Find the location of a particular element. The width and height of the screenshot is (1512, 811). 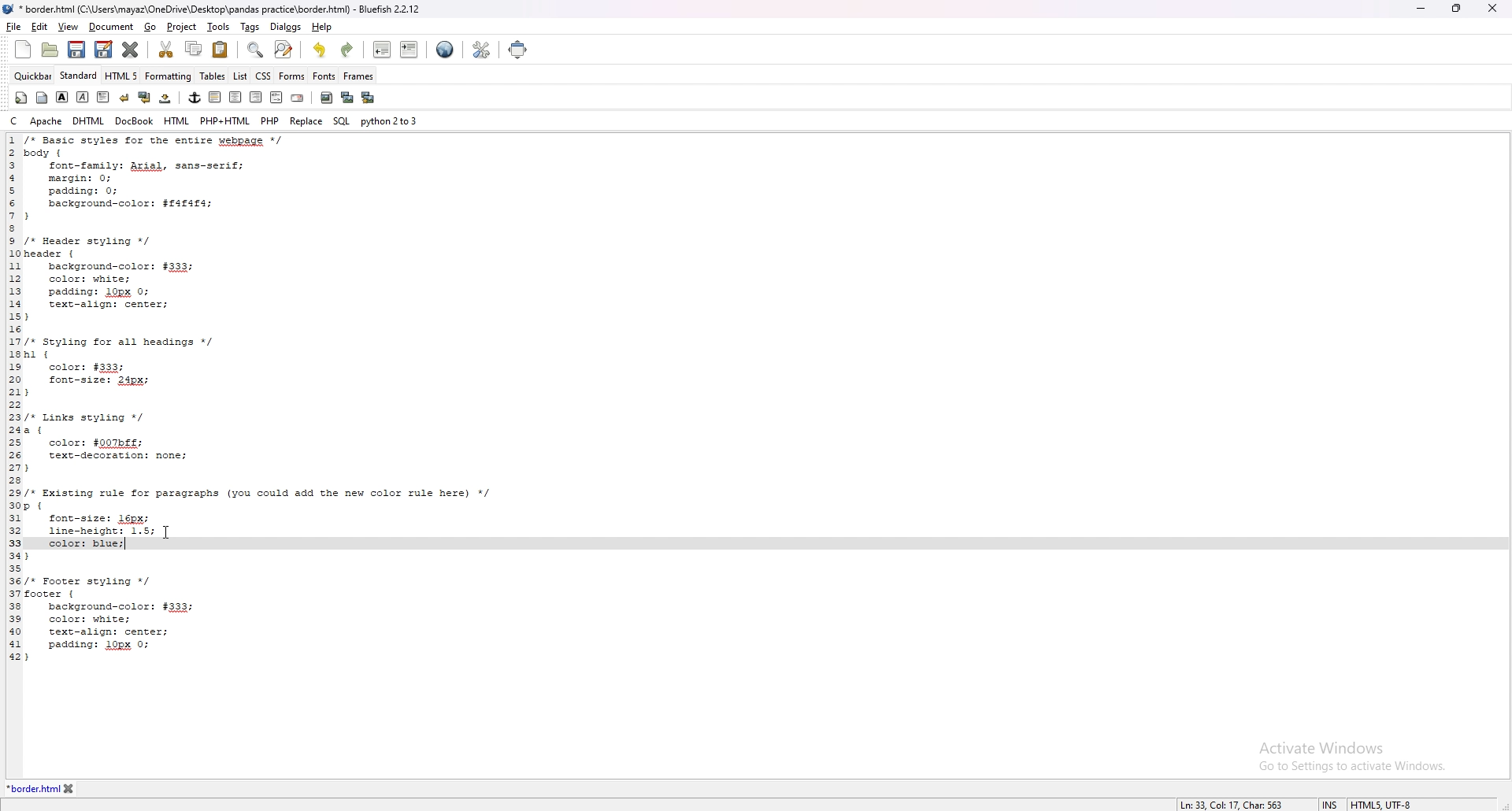

redo is located at coordinates (348, 50).